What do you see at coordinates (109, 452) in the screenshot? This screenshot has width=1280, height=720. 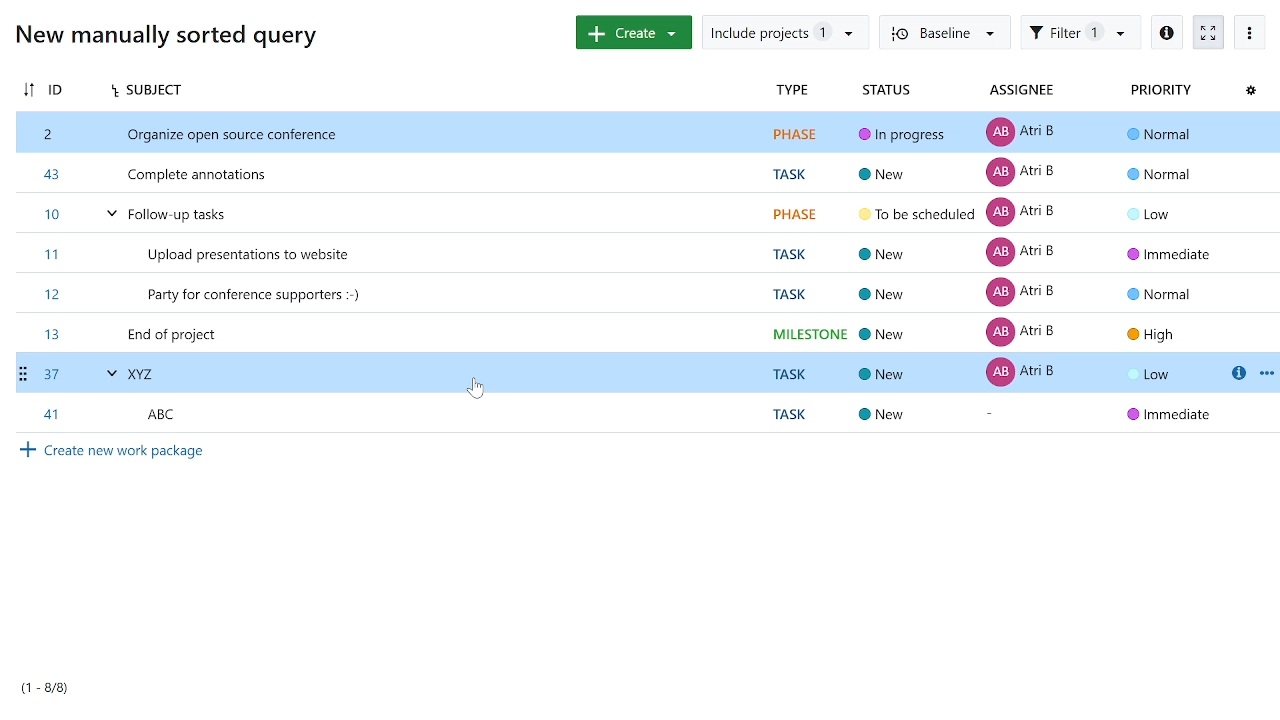 I see `create new work package` at bounding box center [109, 452].